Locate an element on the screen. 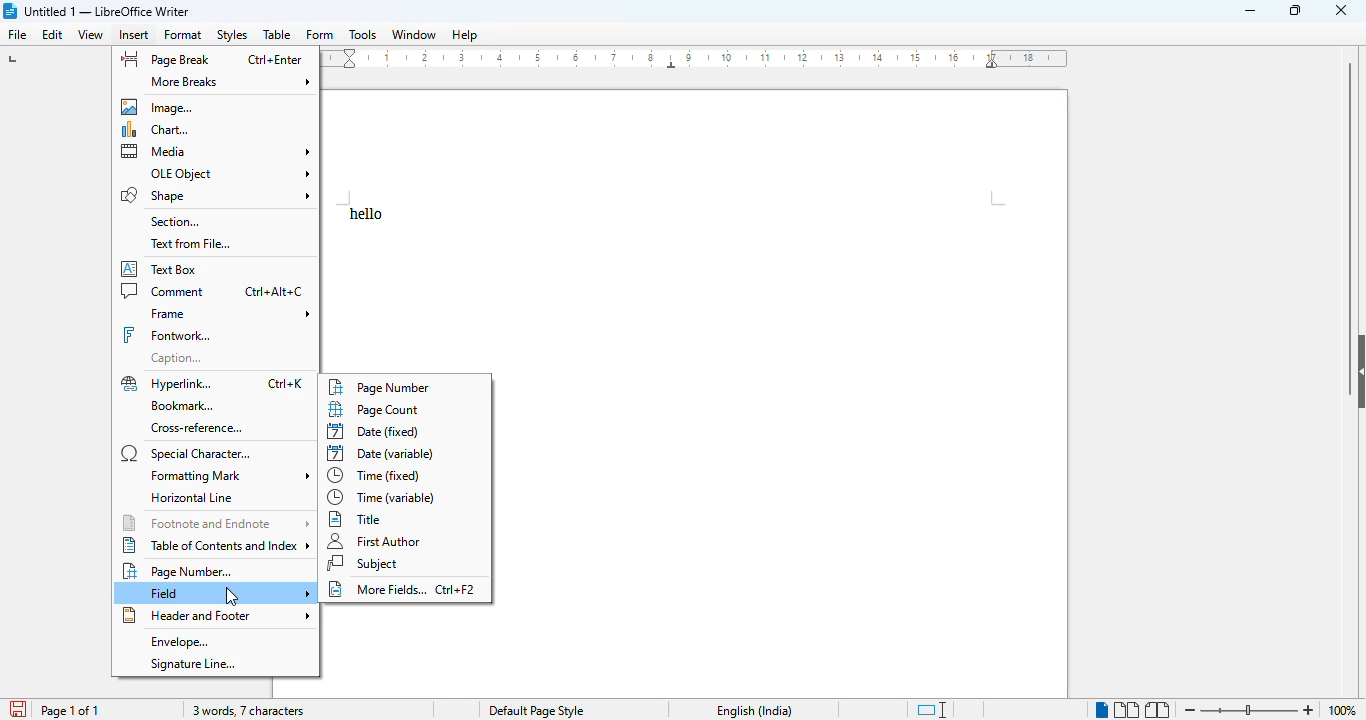 The width and height of the screenshot is (1366, 720). comment is located at coordinates (164, 291).